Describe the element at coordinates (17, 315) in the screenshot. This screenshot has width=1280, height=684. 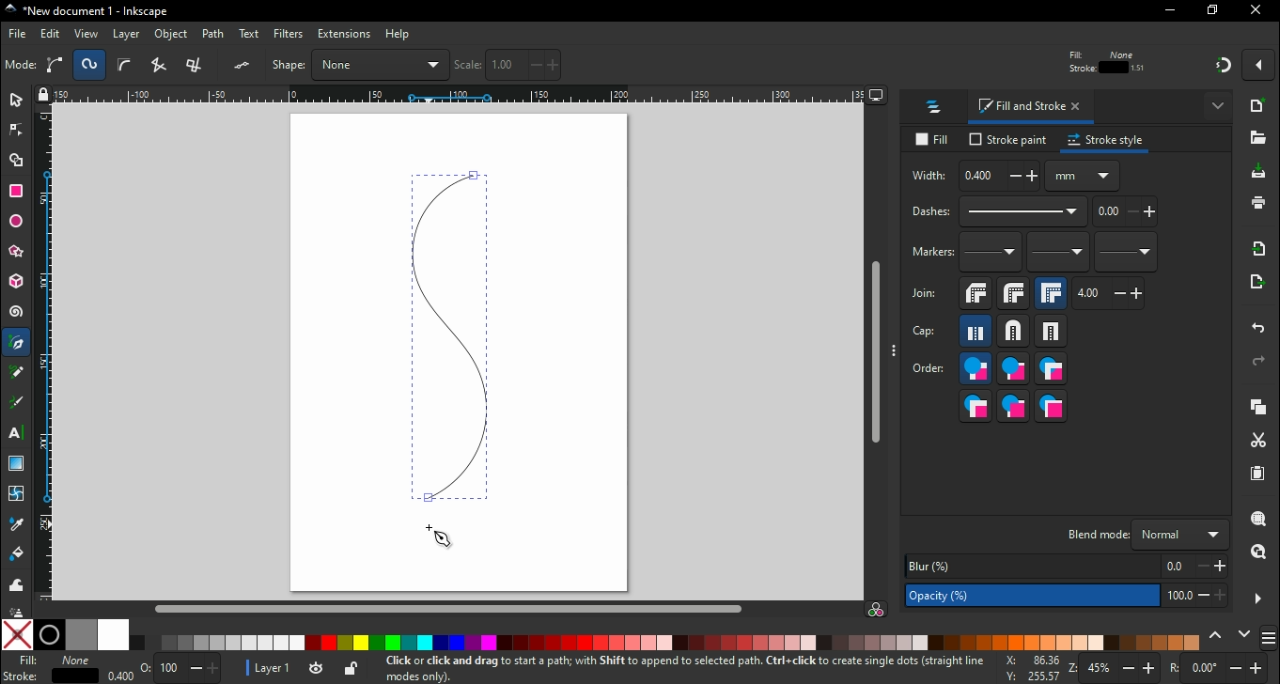
I see `spiral tool` at that location.